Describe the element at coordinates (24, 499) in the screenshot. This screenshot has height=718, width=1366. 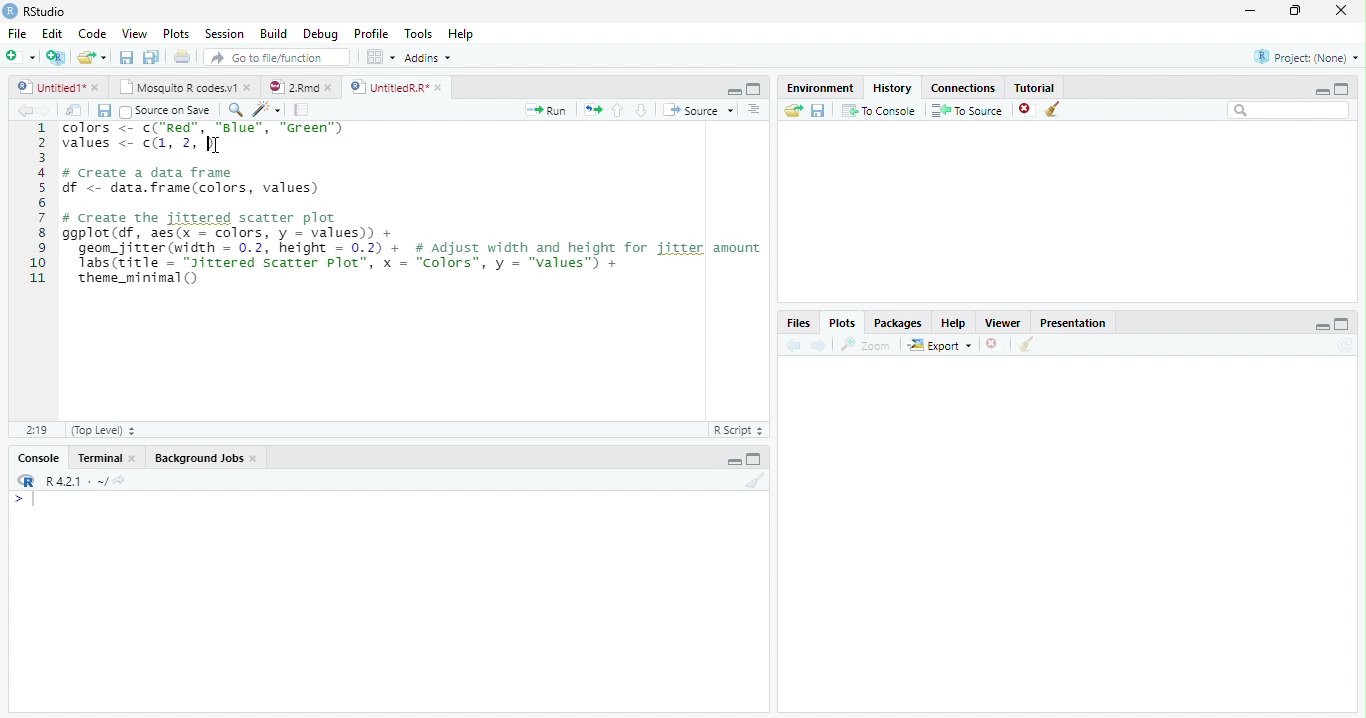
I see `New line` at that location.